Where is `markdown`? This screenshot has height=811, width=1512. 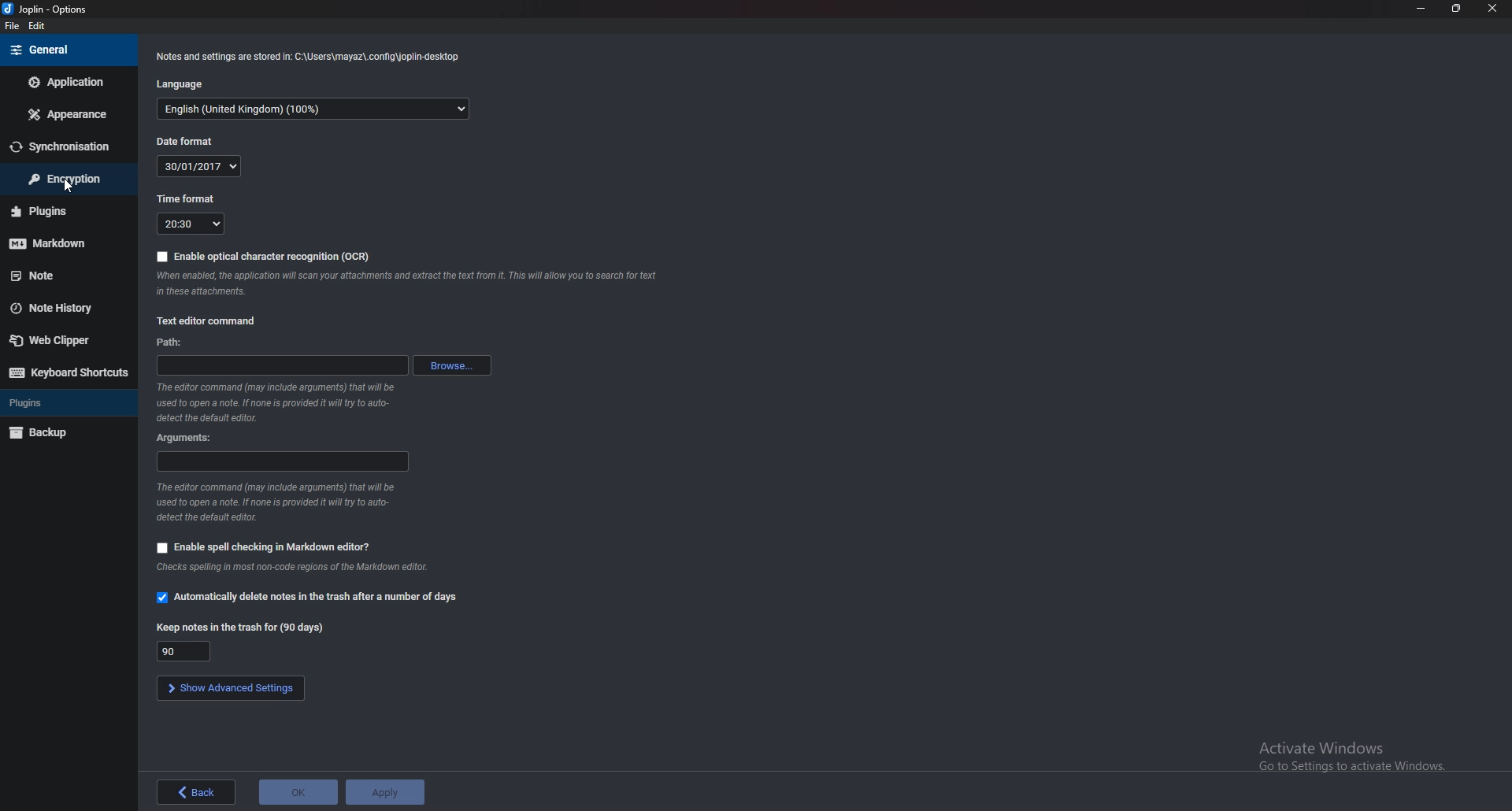
markdown is located at coordinates (63, 243).